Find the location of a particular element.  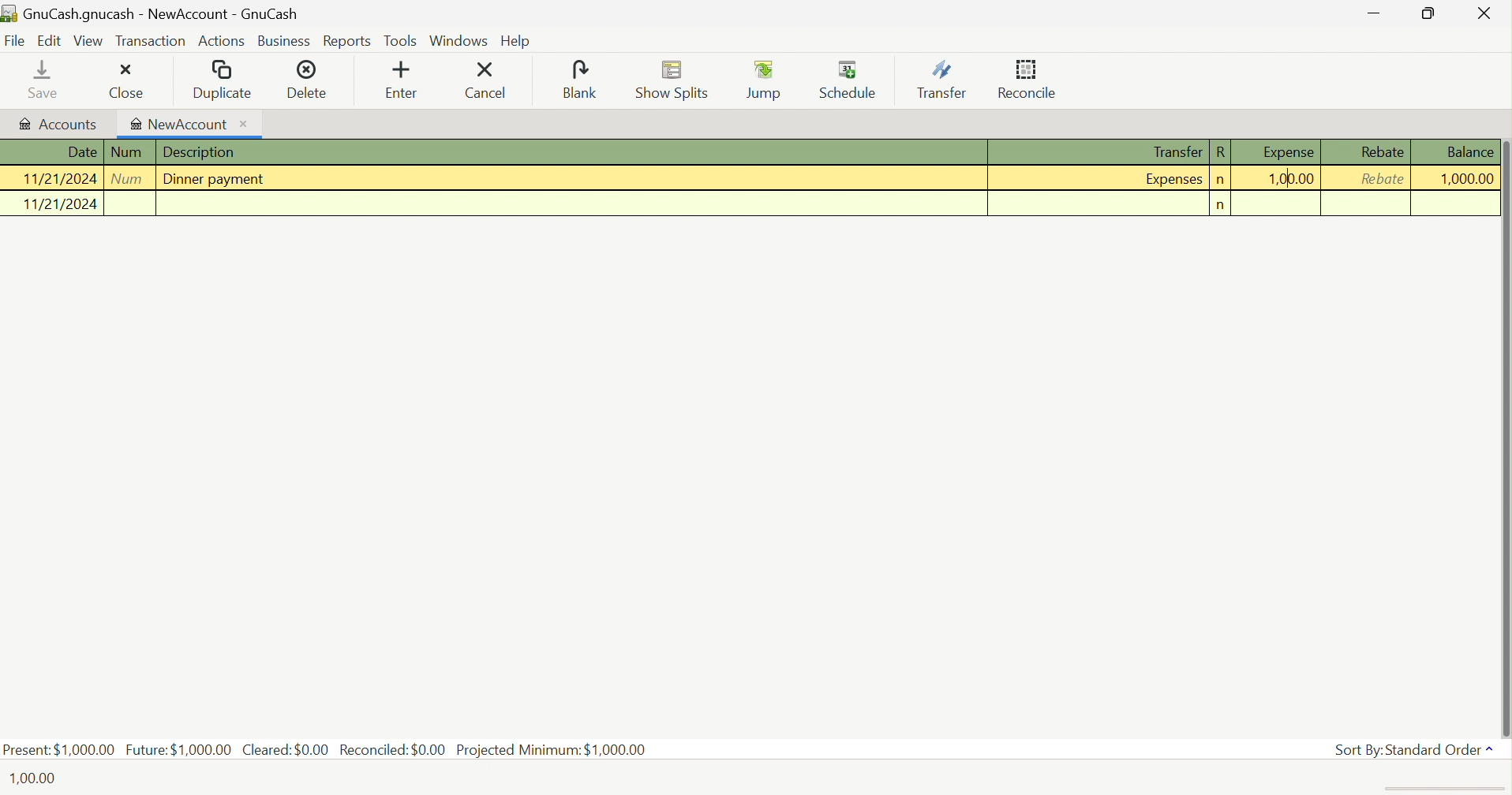

Balance is located at coordinates (1470, 153).